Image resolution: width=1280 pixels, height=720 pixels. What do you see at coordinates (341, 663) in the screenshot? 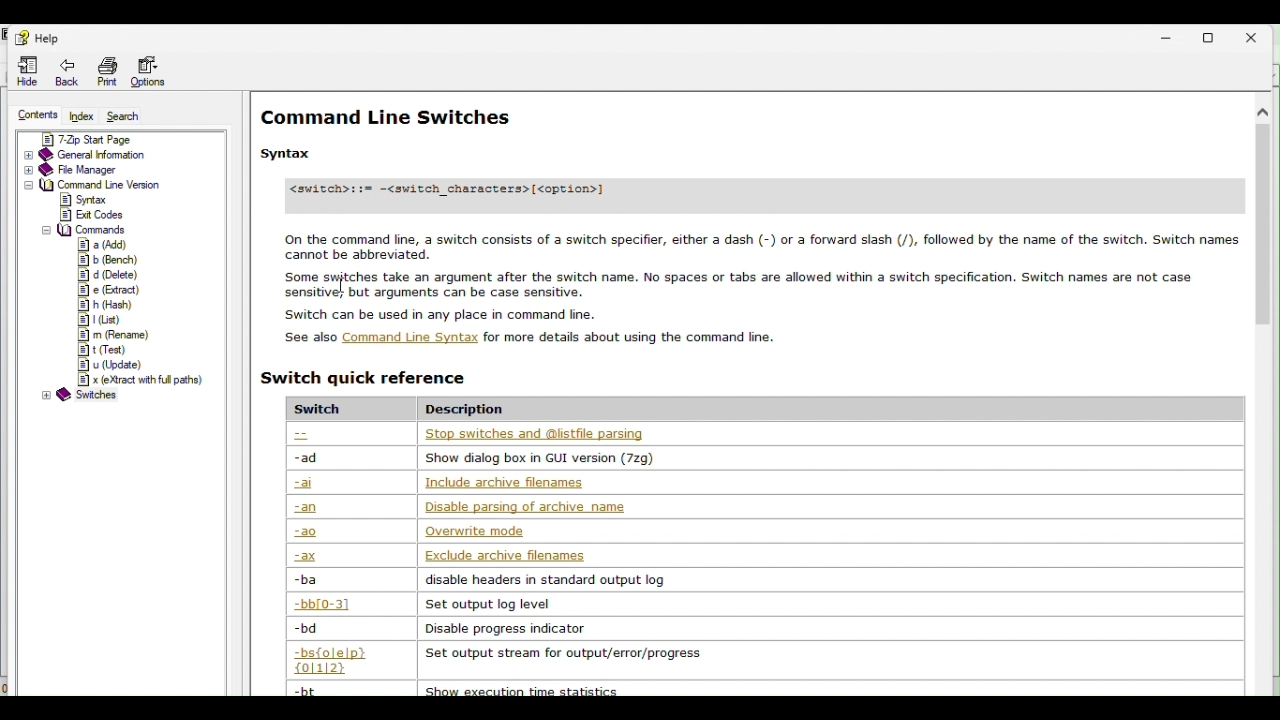
I see `-bs` at bounding box center [341, 663].